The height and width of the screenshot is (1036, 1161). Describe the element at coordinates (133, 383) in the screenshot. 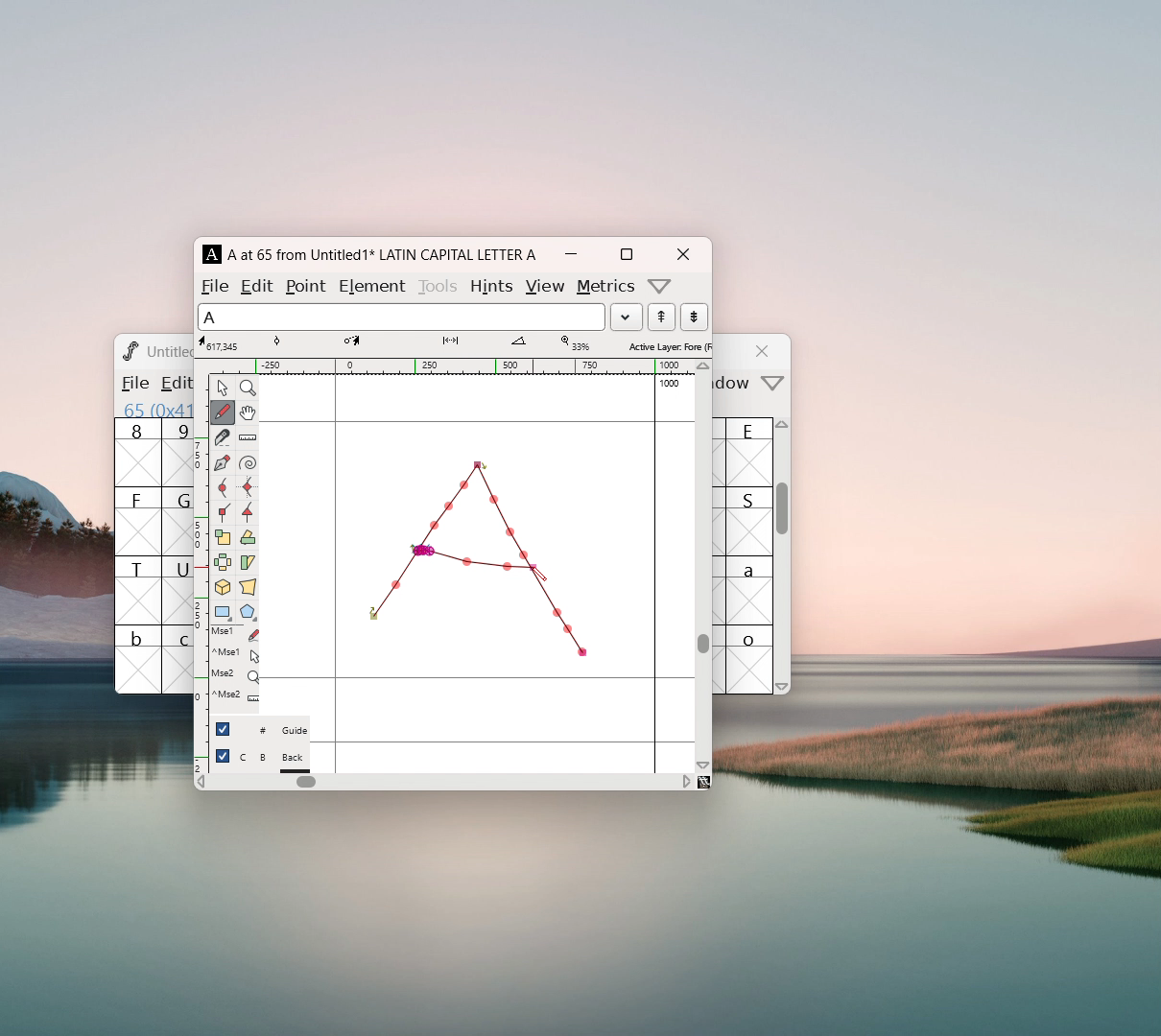

I see `file` at that location.